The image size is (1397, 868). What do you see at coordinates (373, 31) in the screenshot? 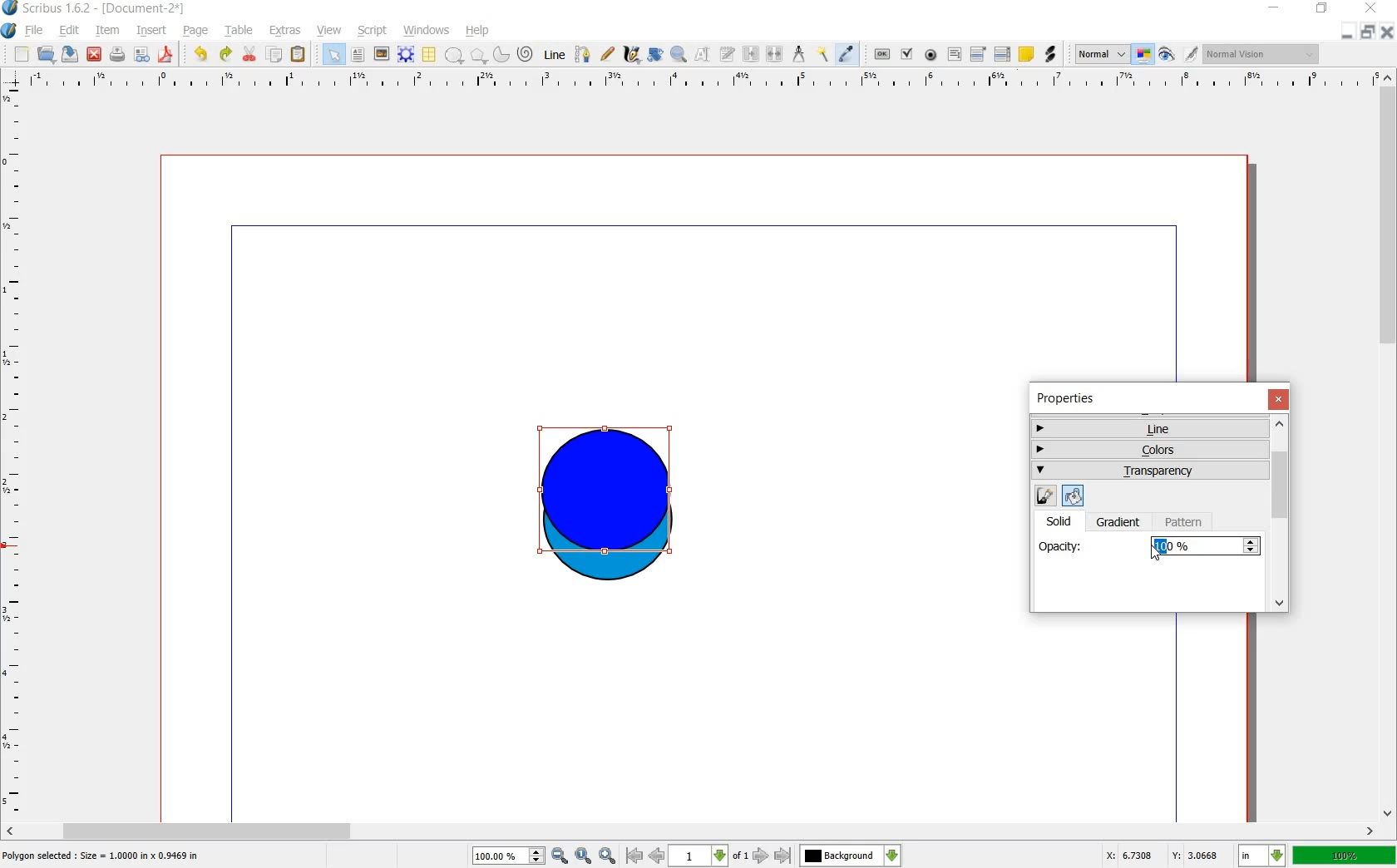
I see `script` at bounding box center [373, 31].